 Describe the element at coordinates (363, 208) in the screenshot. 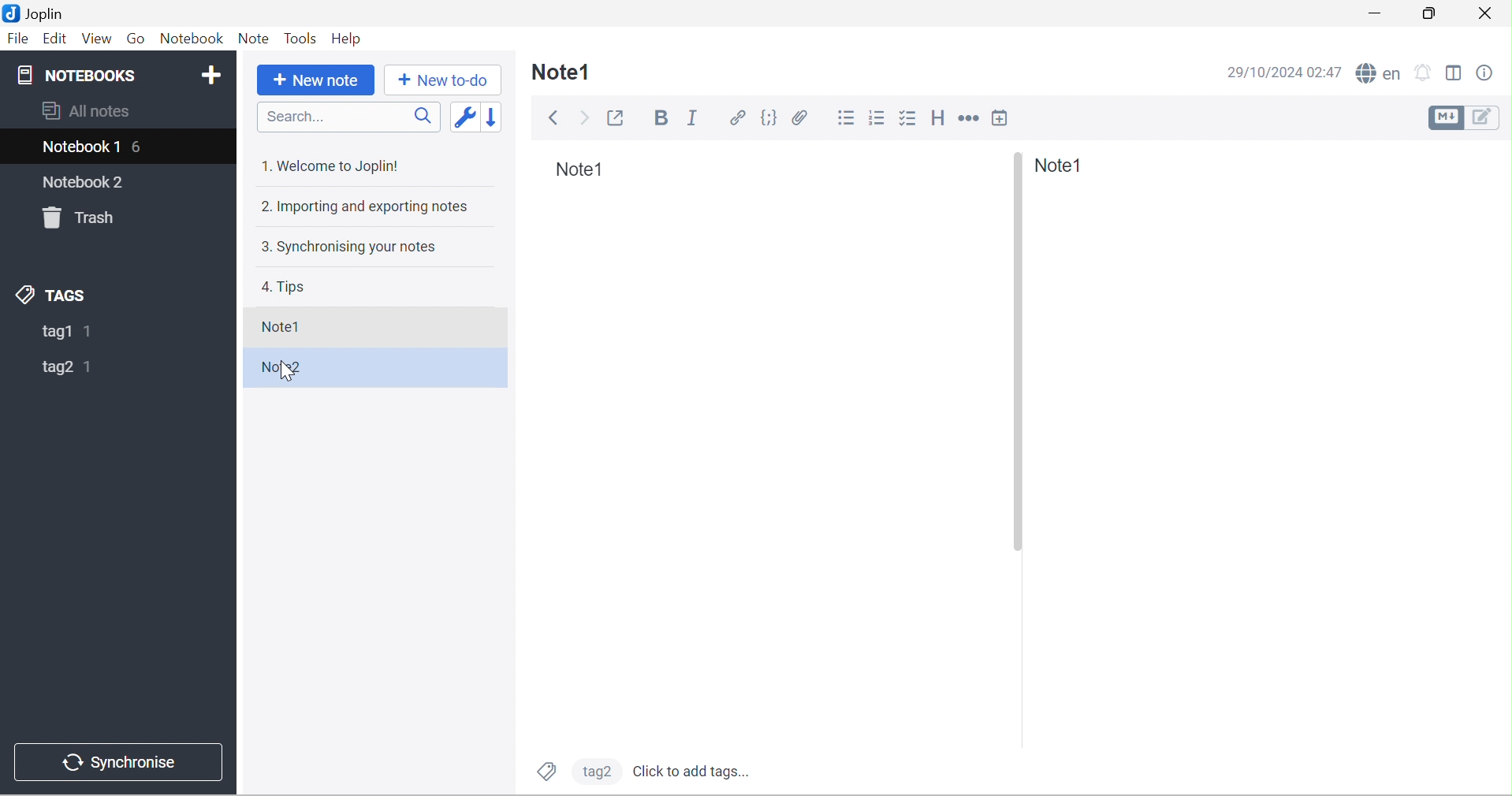

I see `2. Importing and exporting notes` at that location.